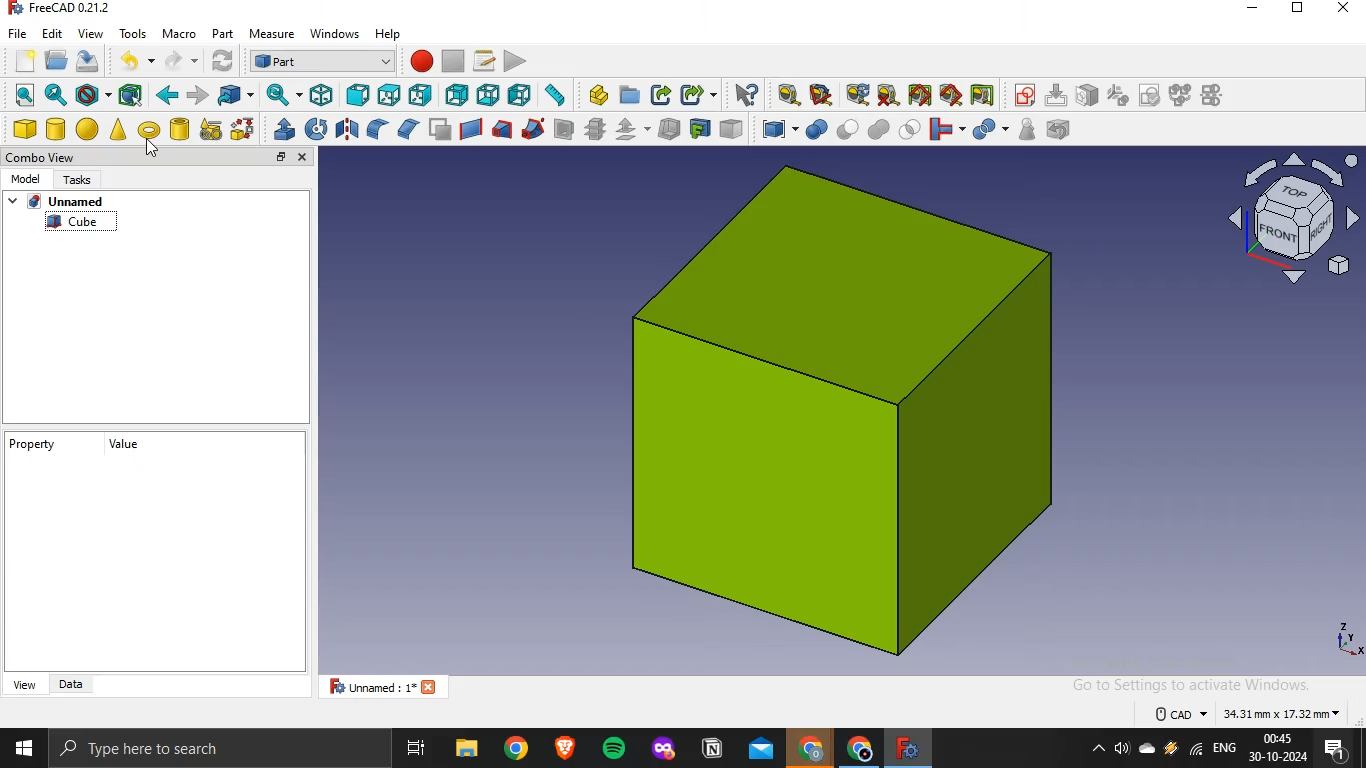  What do you see at coordinates (809, 748) in the screenshot?
I see `google crome` at bounding box center [809, 748].